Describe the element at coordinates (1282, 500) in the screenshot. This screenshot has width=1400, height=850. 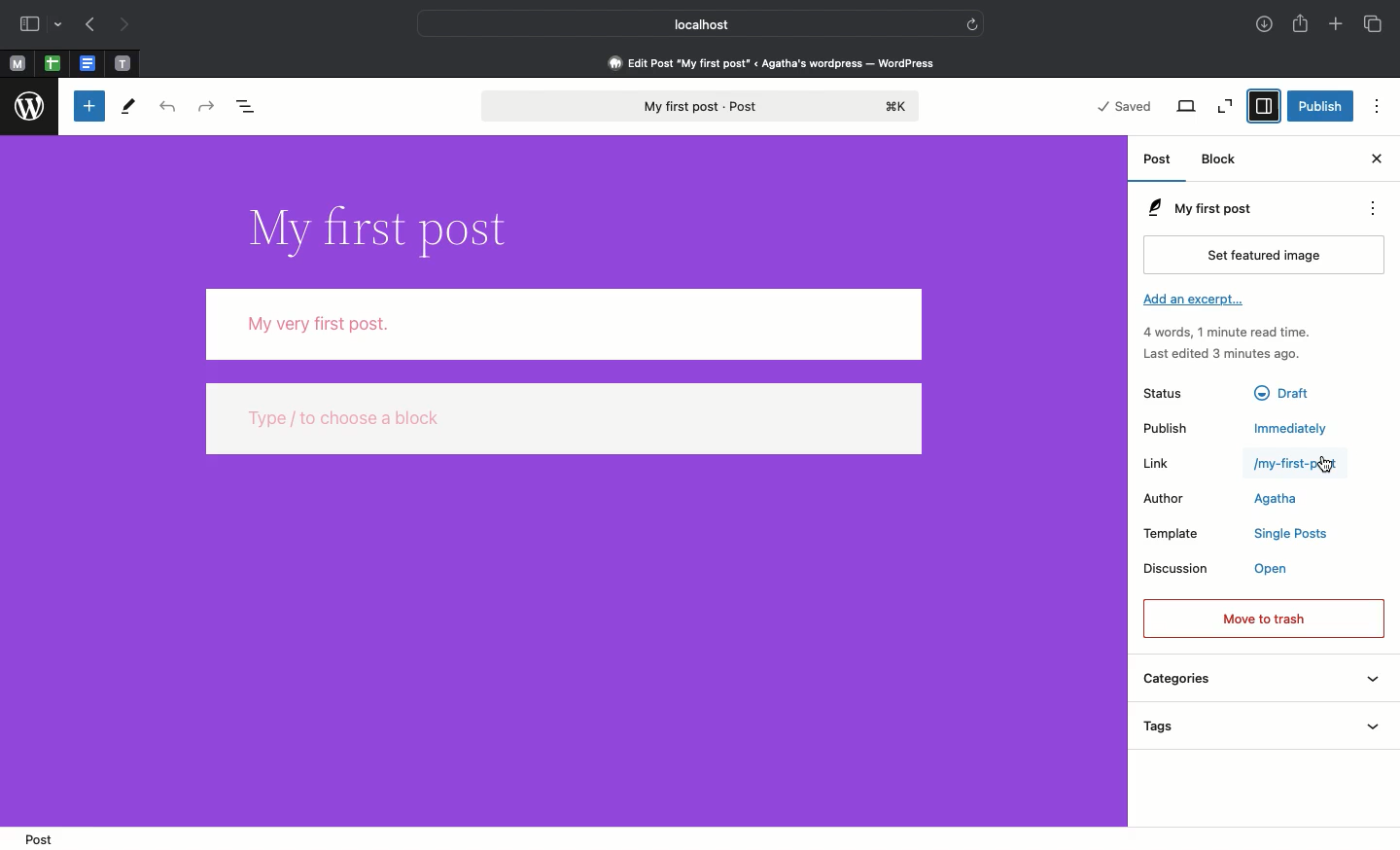
I see `Agatha` at that location.